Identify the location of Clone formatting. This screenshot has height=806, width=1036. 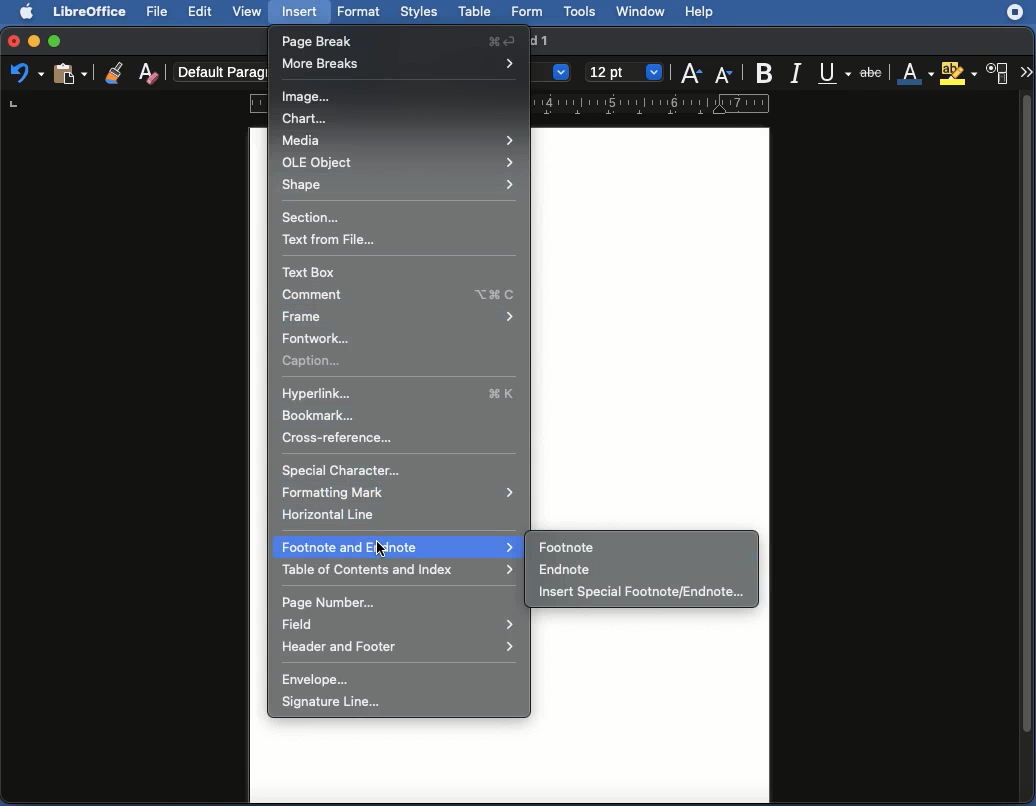
(115, 70).